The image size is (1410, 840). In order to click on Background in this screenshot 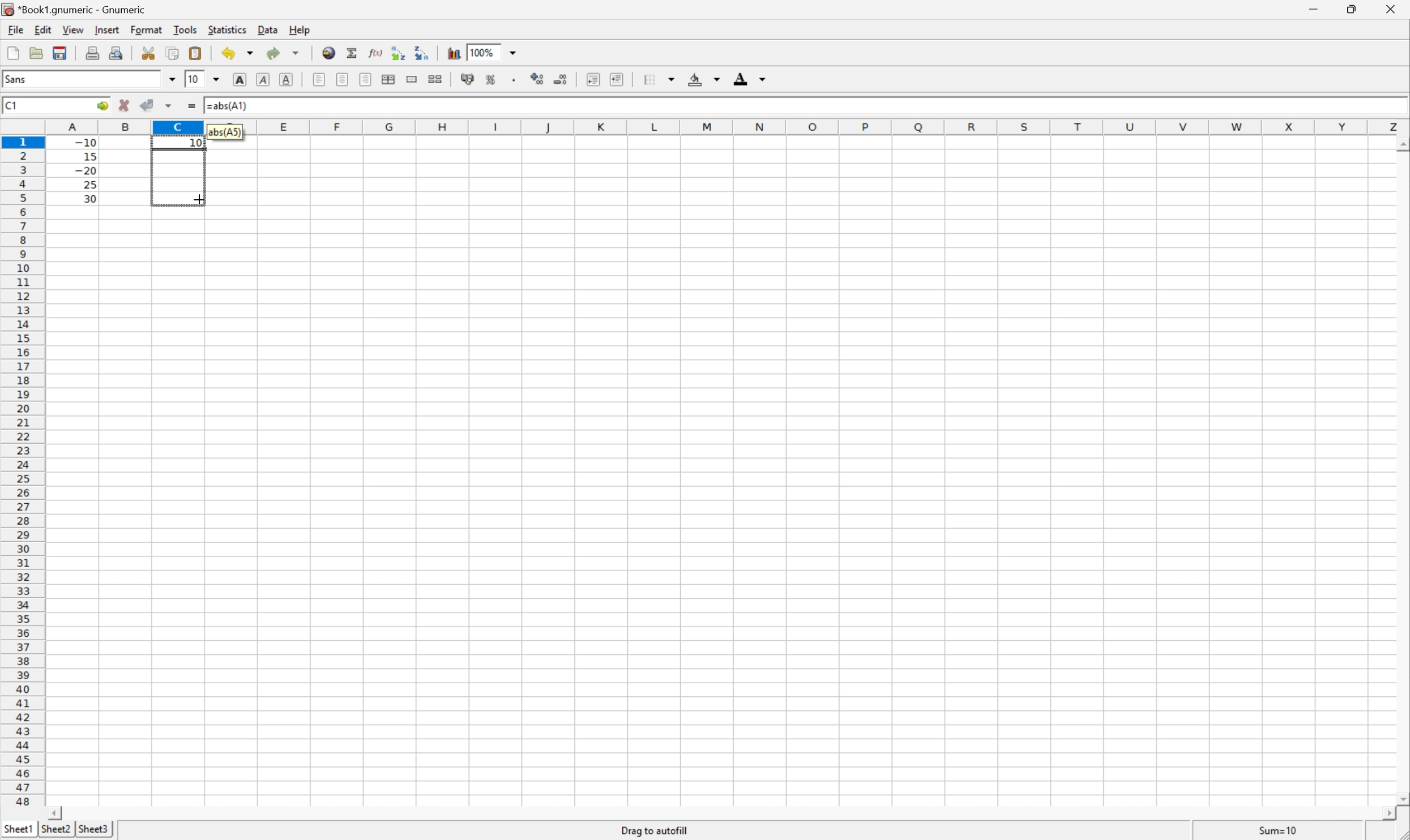, I will do `click(695, 80)`.